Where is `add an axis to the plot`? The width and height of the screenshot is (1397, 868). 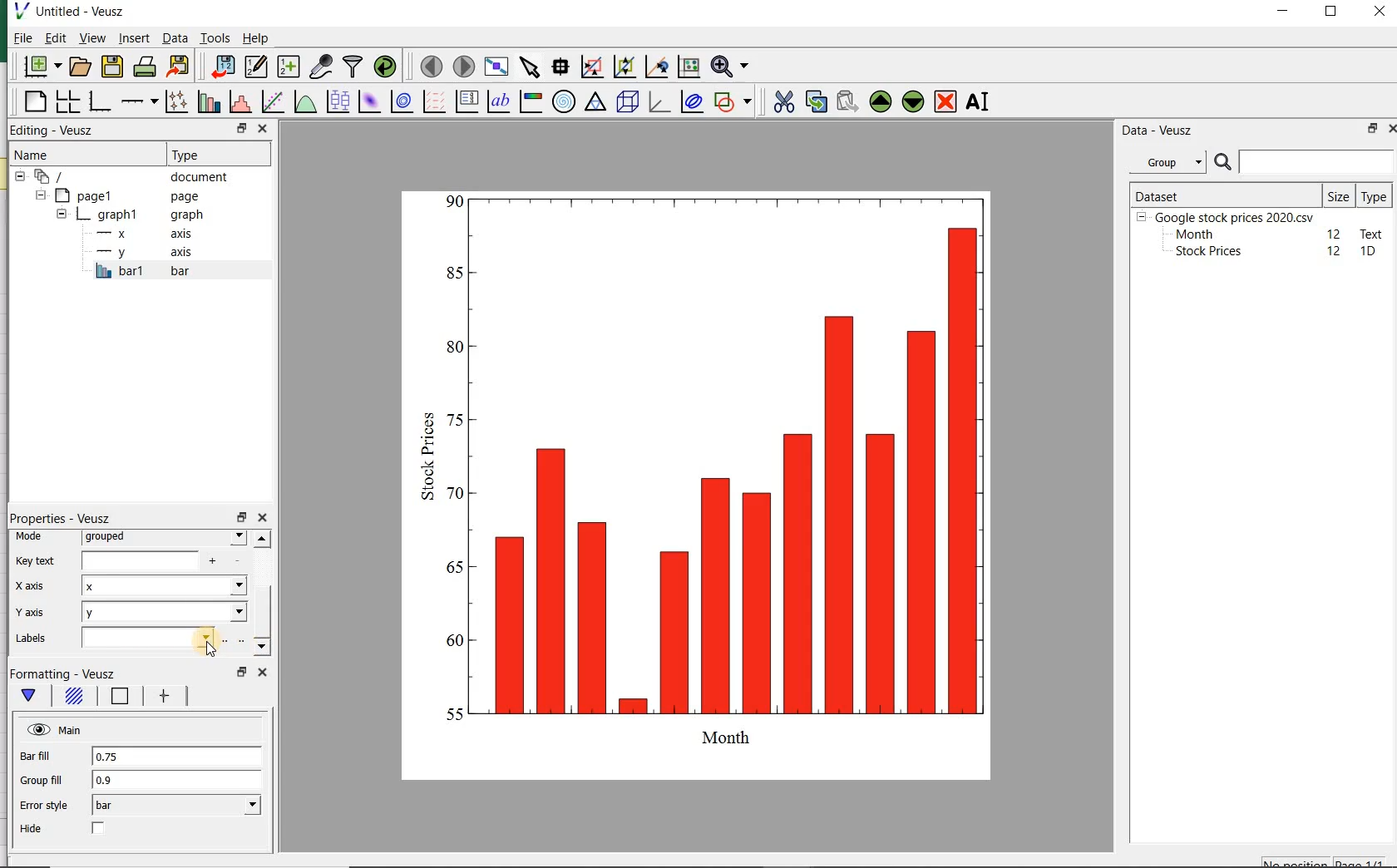 add an axis to the plot is located at coordinates (138, 103).